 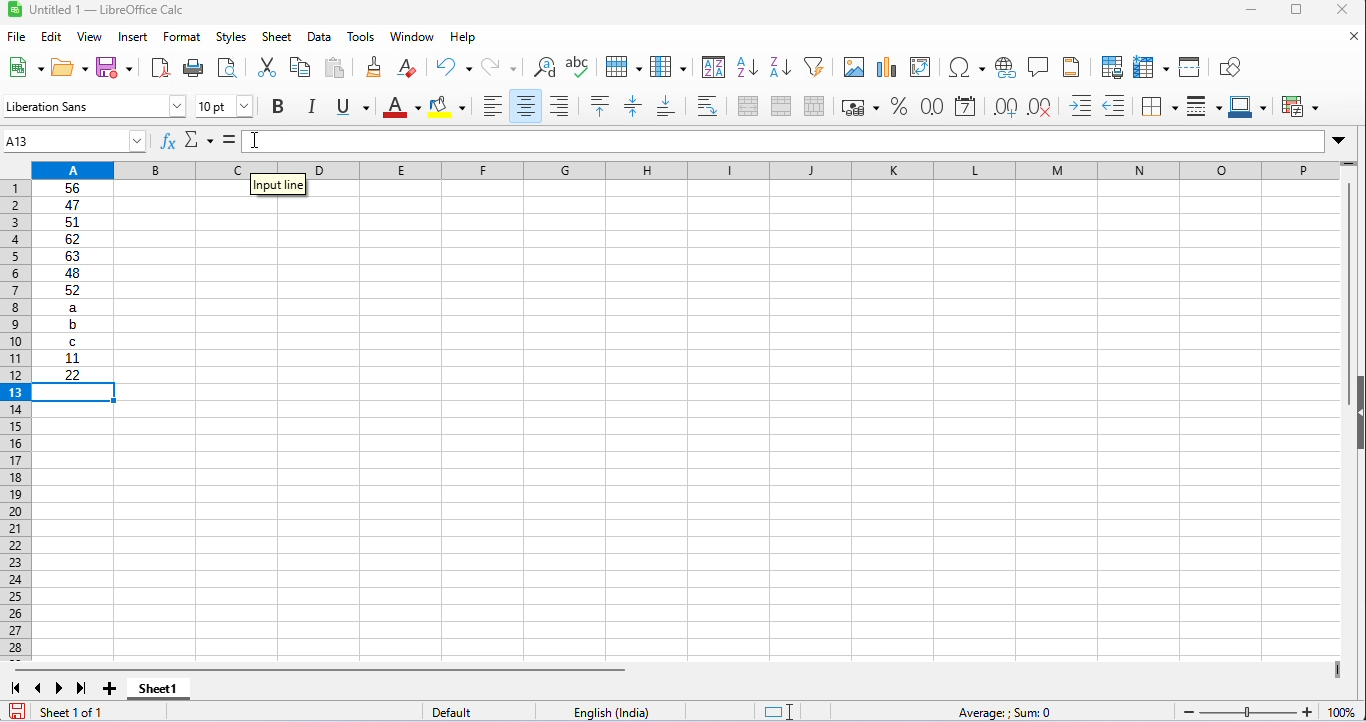 What do you see at coordinates (300, 68) in the screenshot?
I see `copy` at bounding box center [300, 68].